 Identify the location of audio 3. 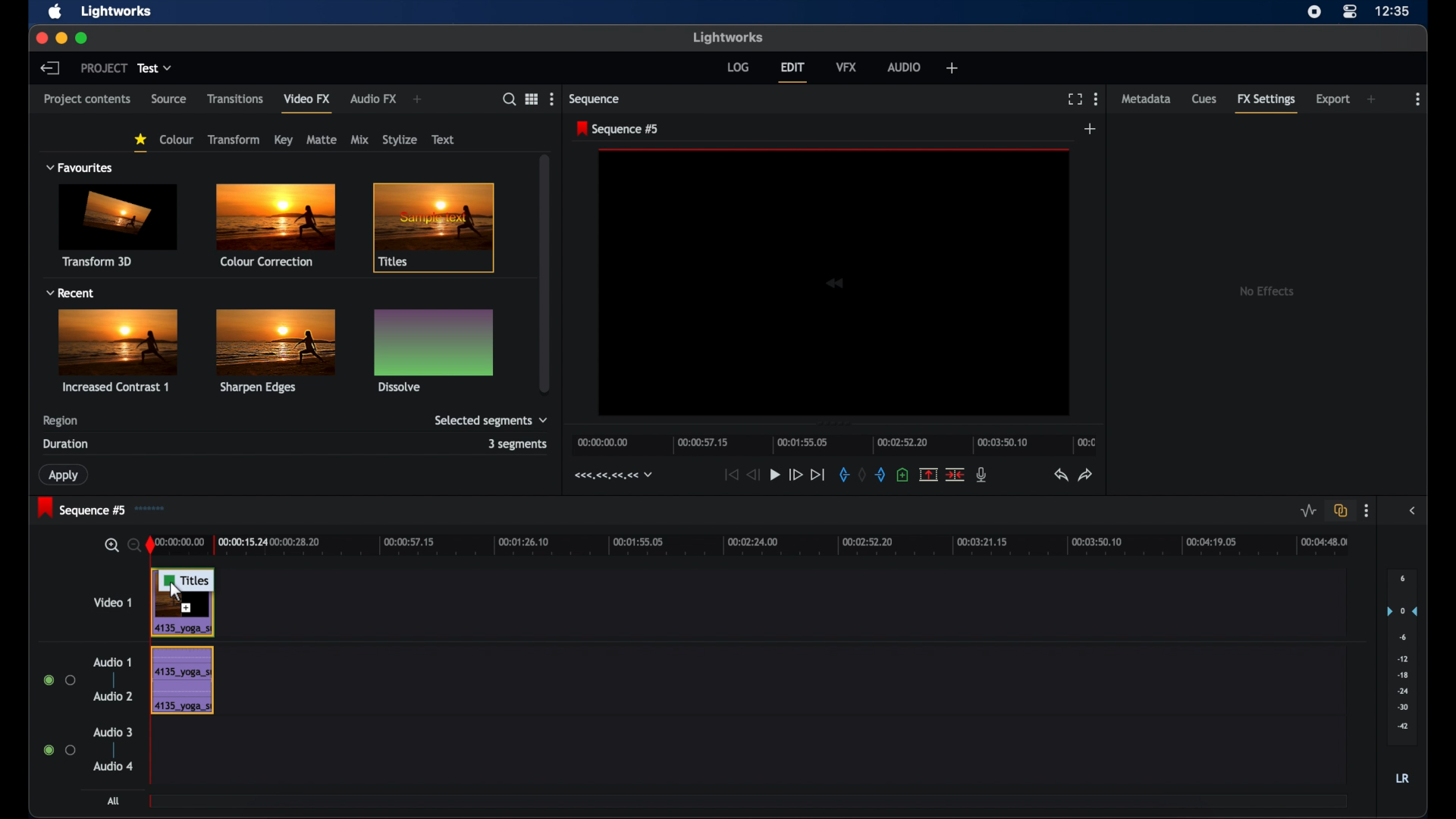
(112, 733).